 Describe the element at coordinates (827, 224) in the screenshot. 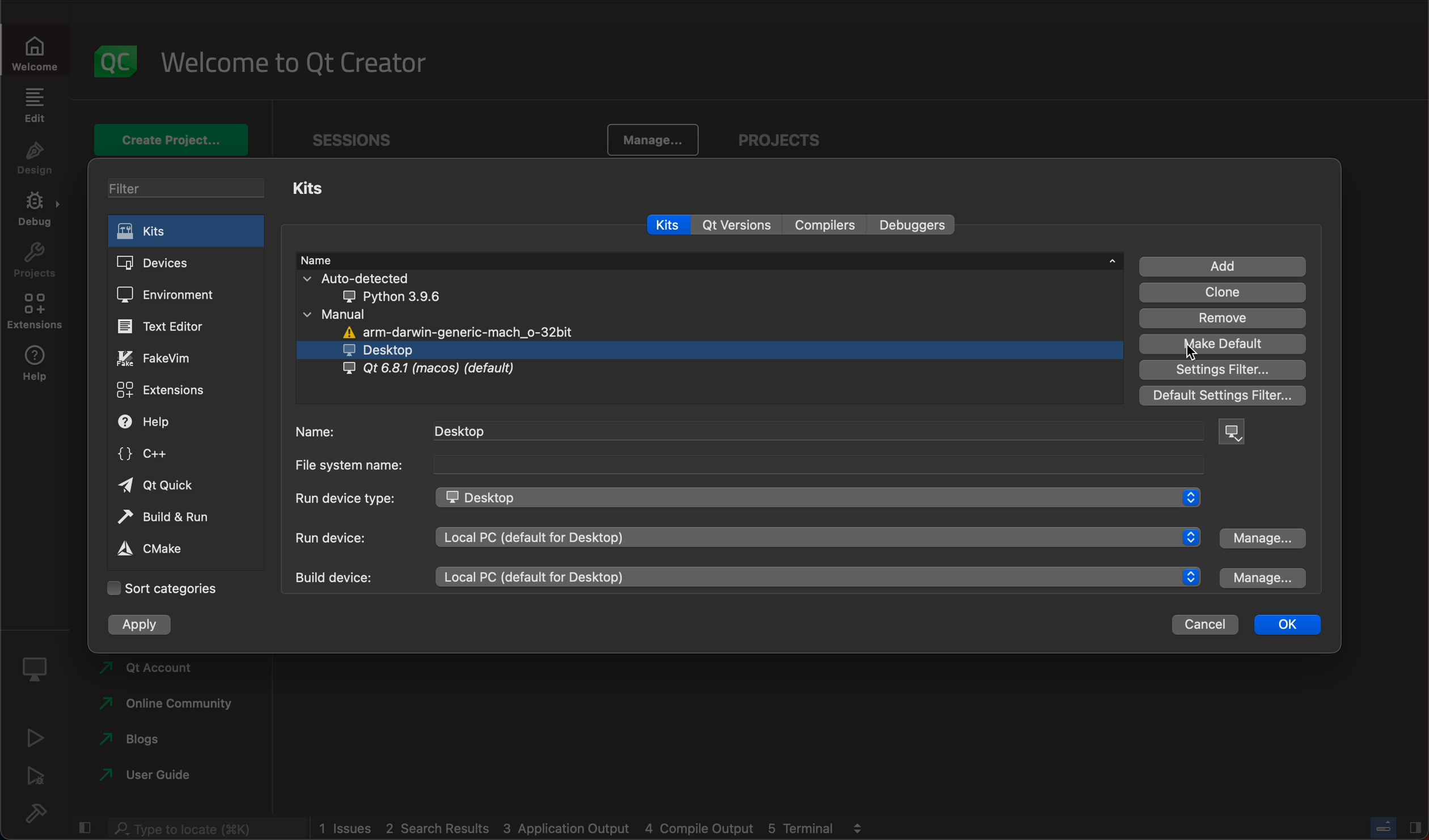

I see `compilers` at that location.